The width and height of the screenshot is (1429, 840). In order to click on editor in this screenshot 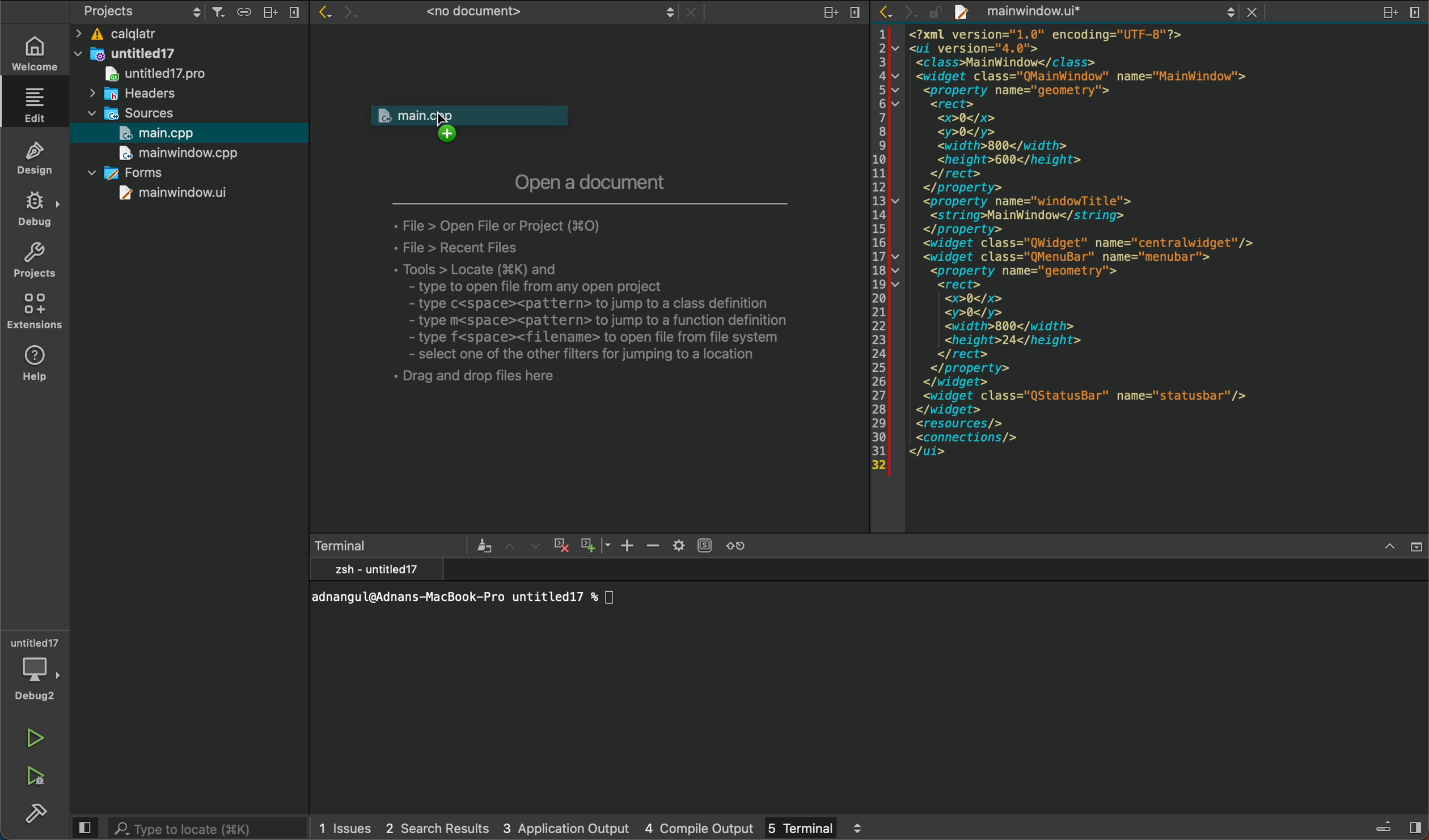, I will do `click(38, 105)`.